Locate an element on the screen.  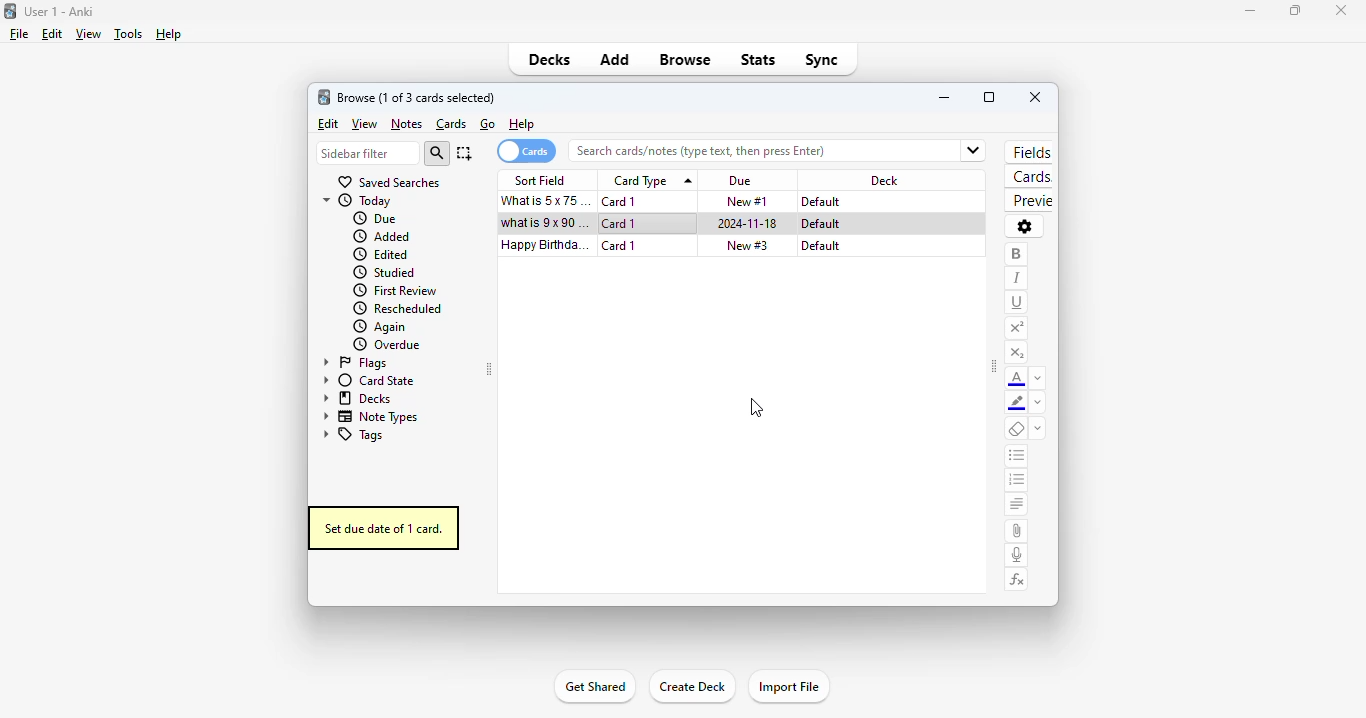
decks is located at coordinates (355, 398).